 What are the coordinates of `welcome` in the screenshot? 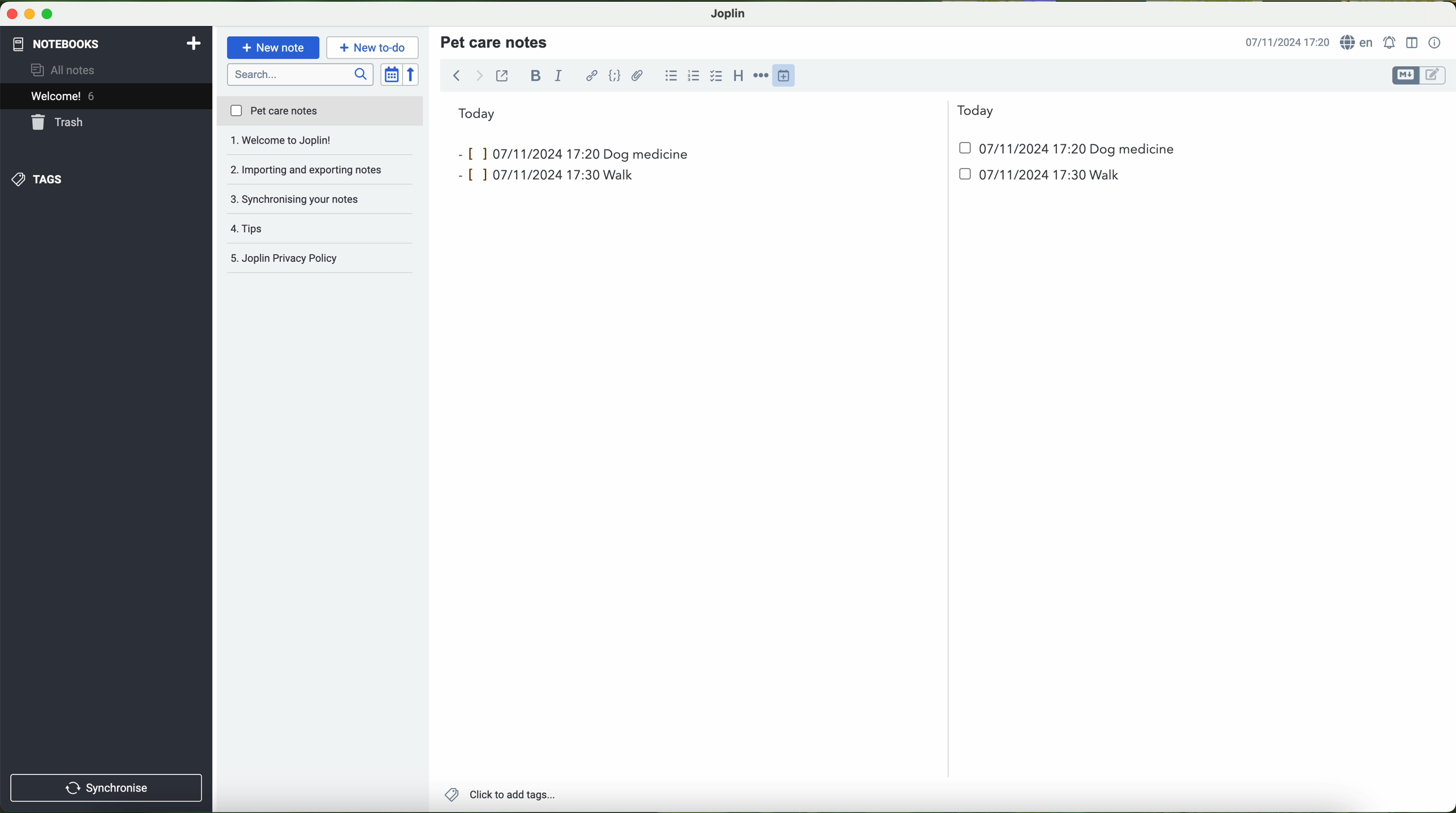 It's located at (106, 98).